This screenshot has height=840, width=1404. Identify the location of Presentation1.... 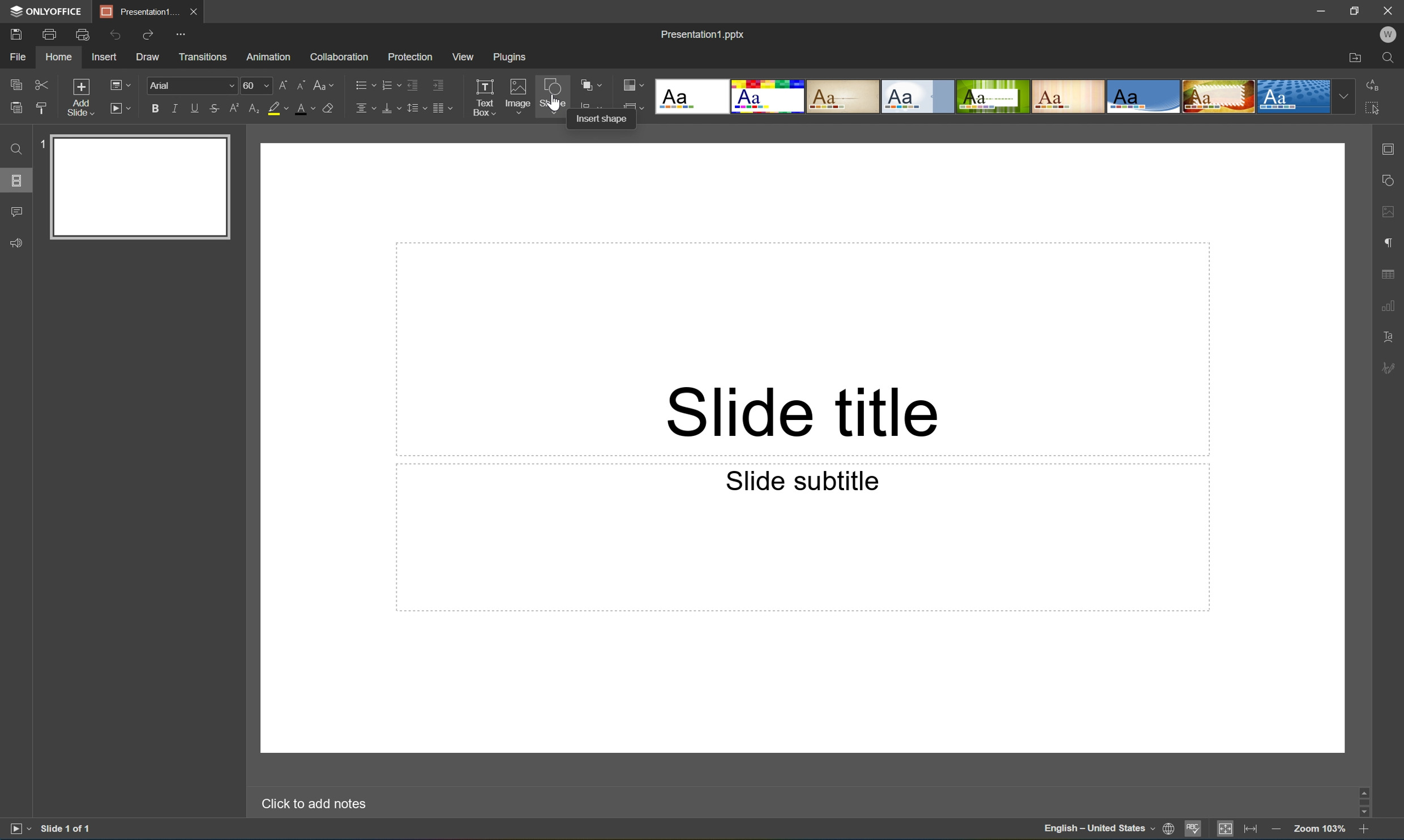
(136, 11).